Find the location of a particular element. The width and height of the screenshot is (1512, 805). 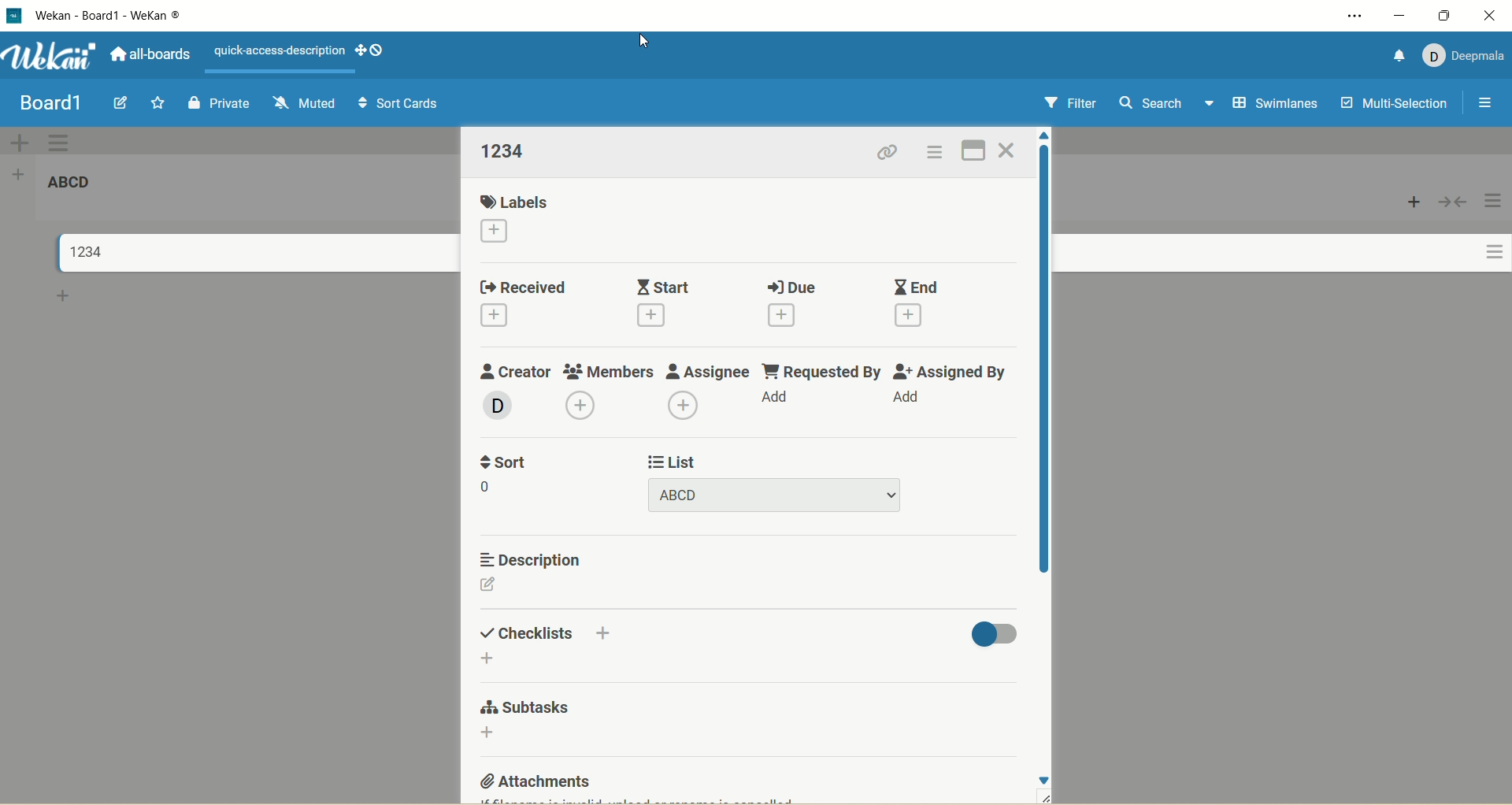

member is located at coordinates (495, 406).